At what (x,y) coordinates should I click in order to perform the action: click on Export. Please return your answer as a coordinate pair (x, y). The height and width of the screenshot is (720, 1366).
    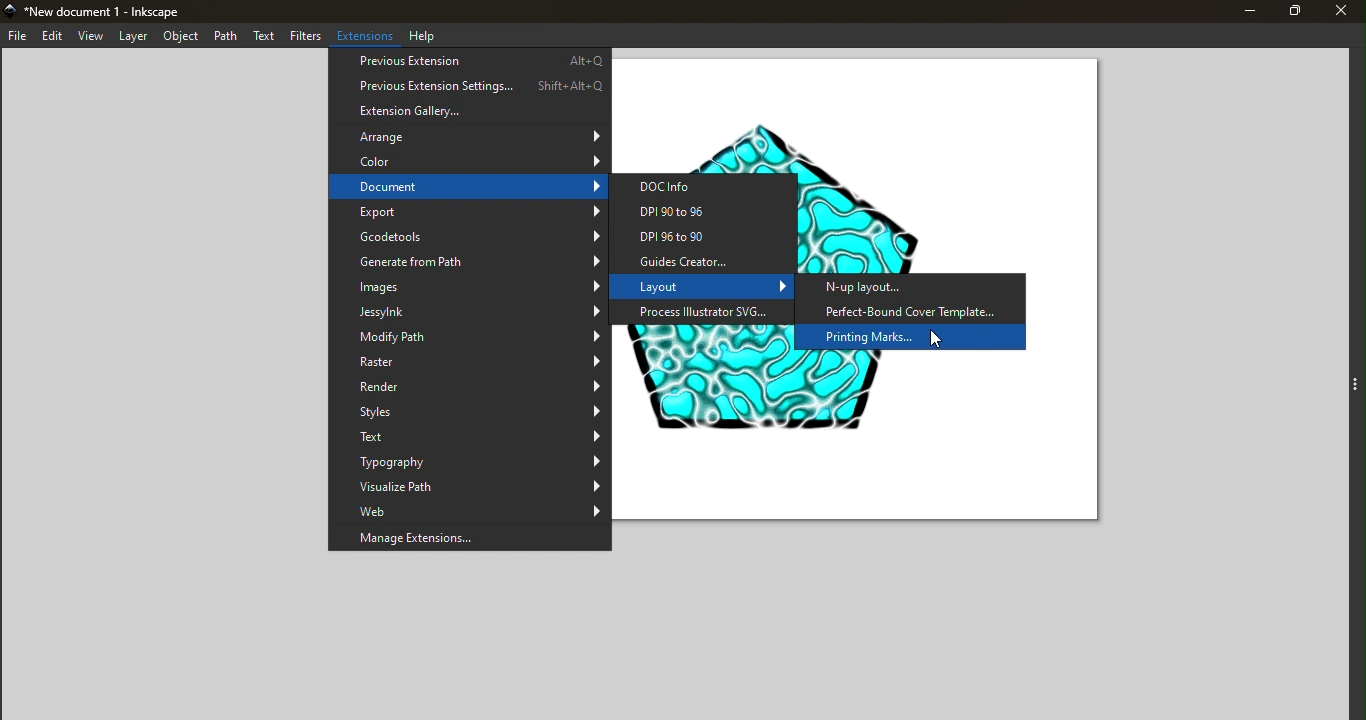
    Looking at the image, I should click on (470, 214).